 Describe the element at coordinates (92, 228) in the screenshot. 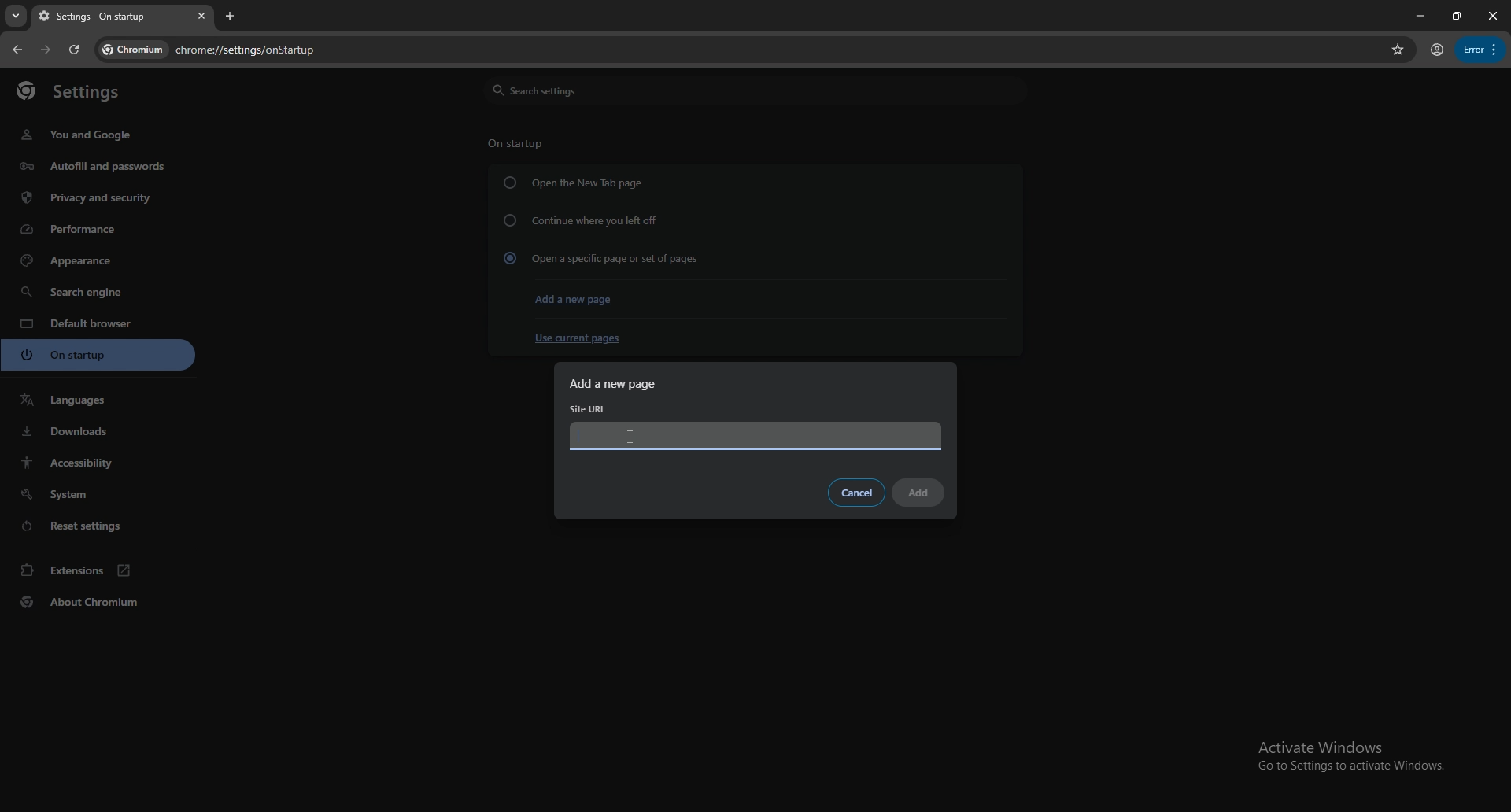

I see `performance` at that location.